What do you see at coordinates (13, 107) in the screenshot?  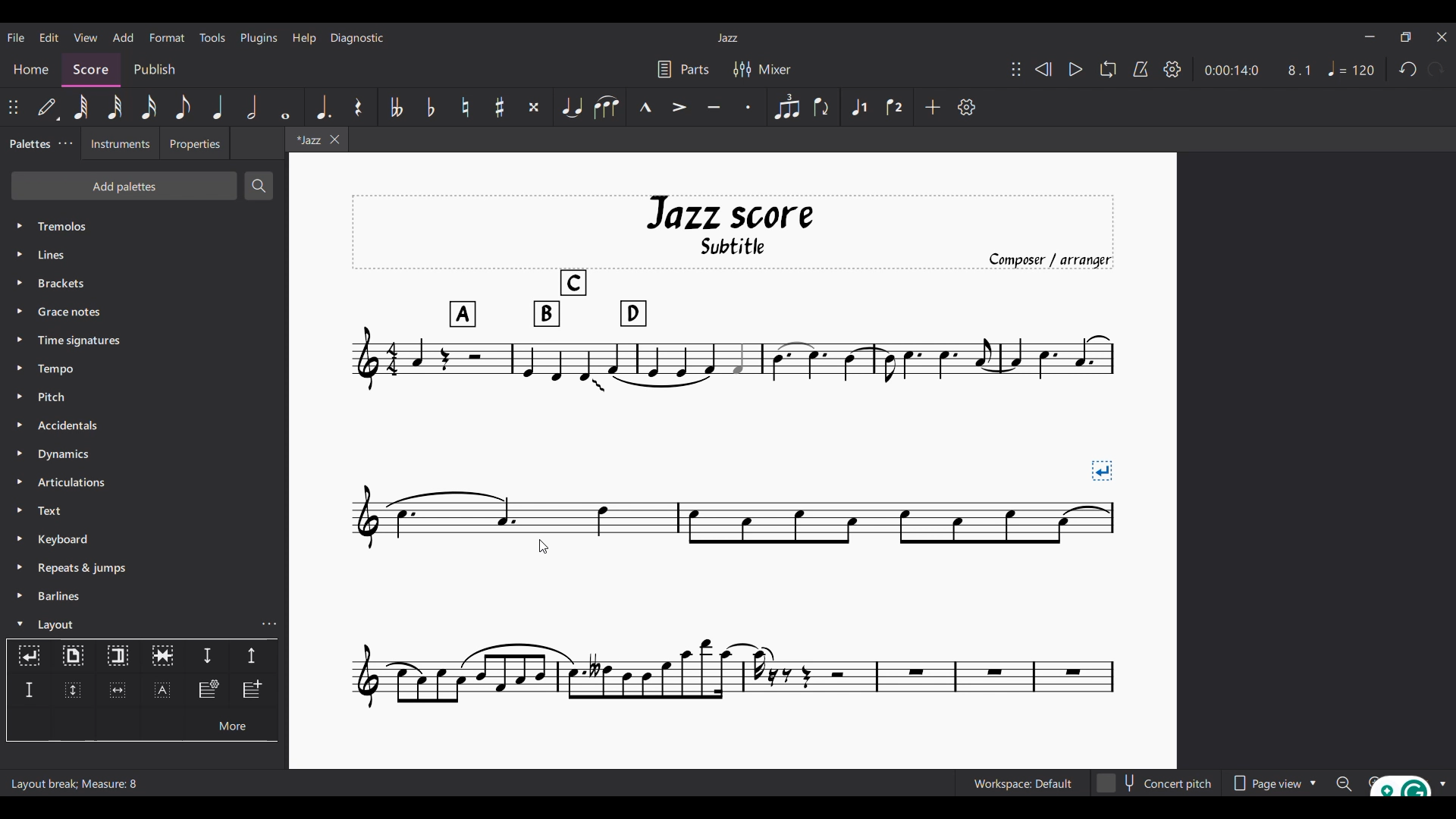 I see `Change position` at bounding box center [13, 107].